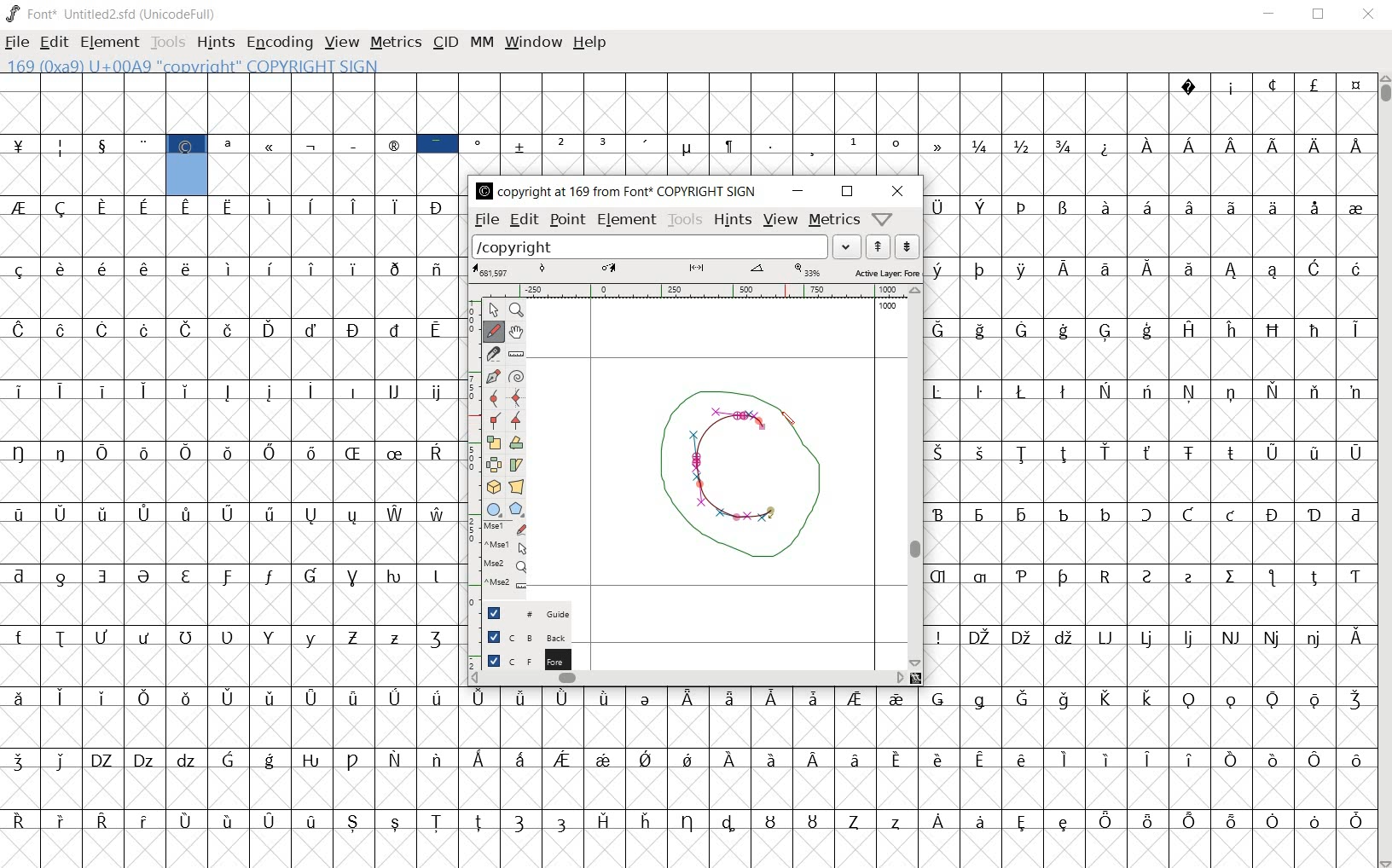 The width and height of the screenshot is (1392, 868). Describe the element at coordinates (517, 376) in the screenshot. I see `change whether spiro is active or not` at that location.